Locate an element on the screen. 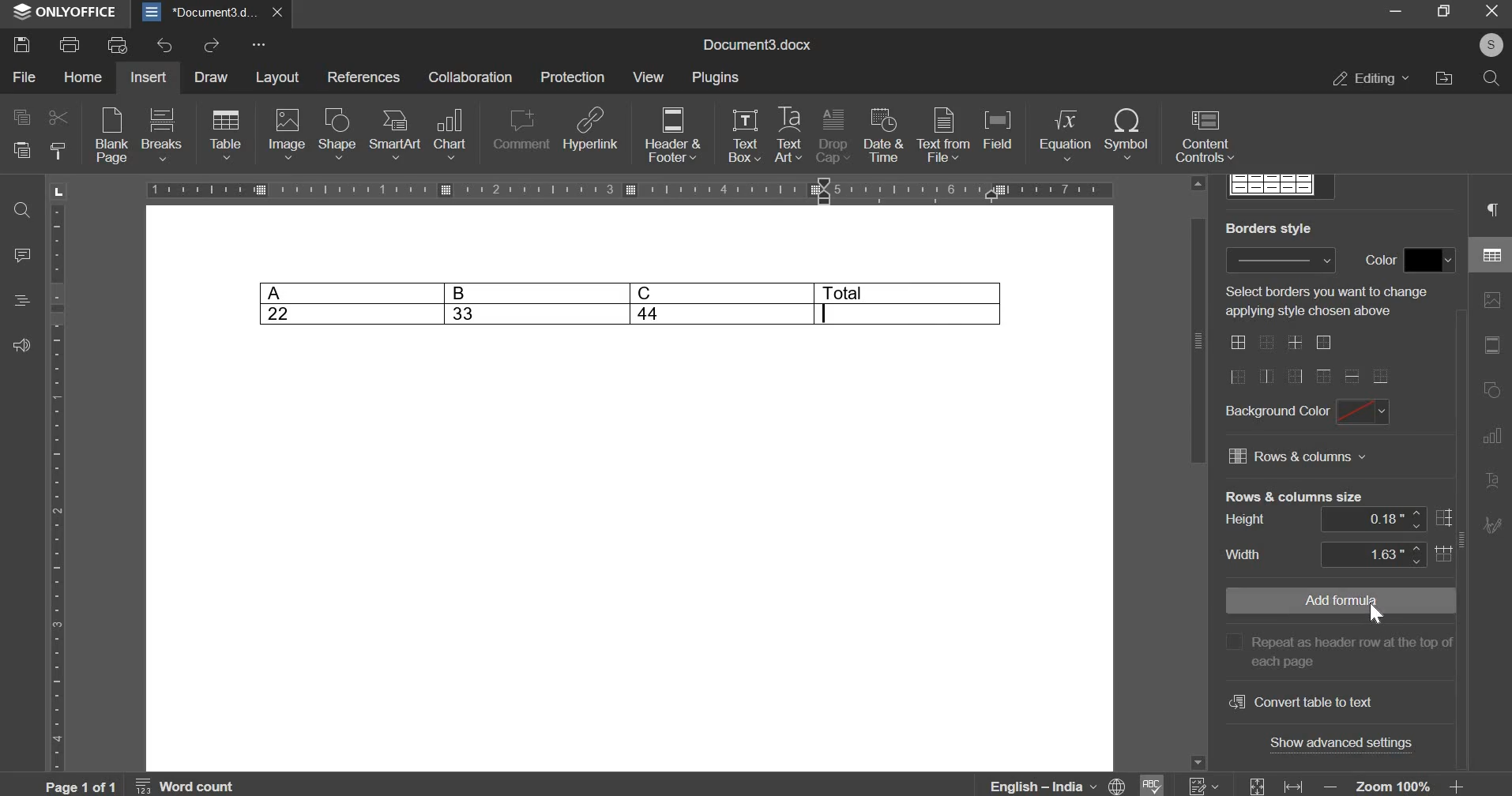 Image resolution: width=1512 pixels, height=796 pixels. plugins is located at coordinates (720, 78).